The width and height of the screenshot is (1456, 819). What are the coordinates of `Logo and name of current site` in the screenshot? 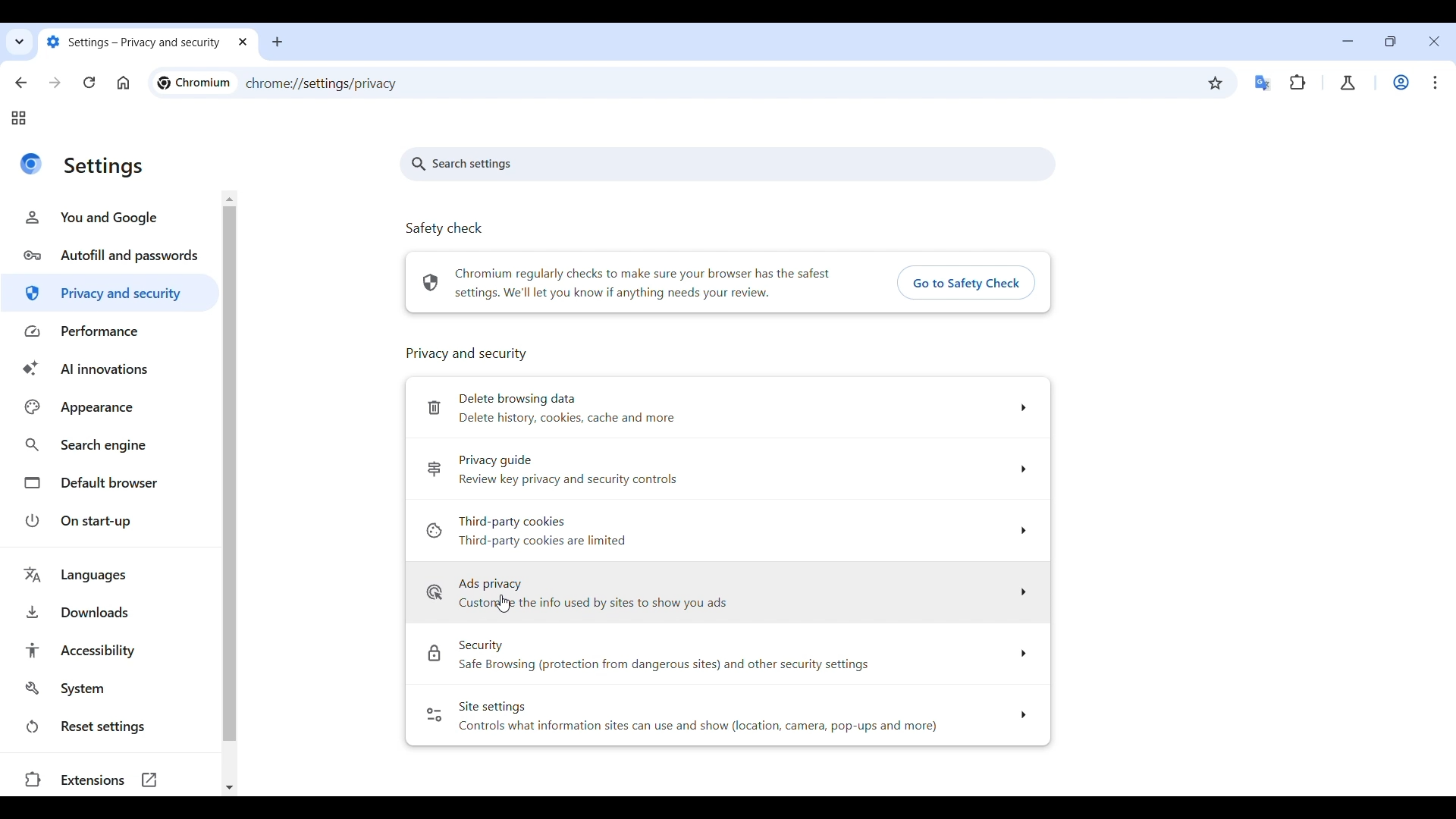 It's located at (194, 83).